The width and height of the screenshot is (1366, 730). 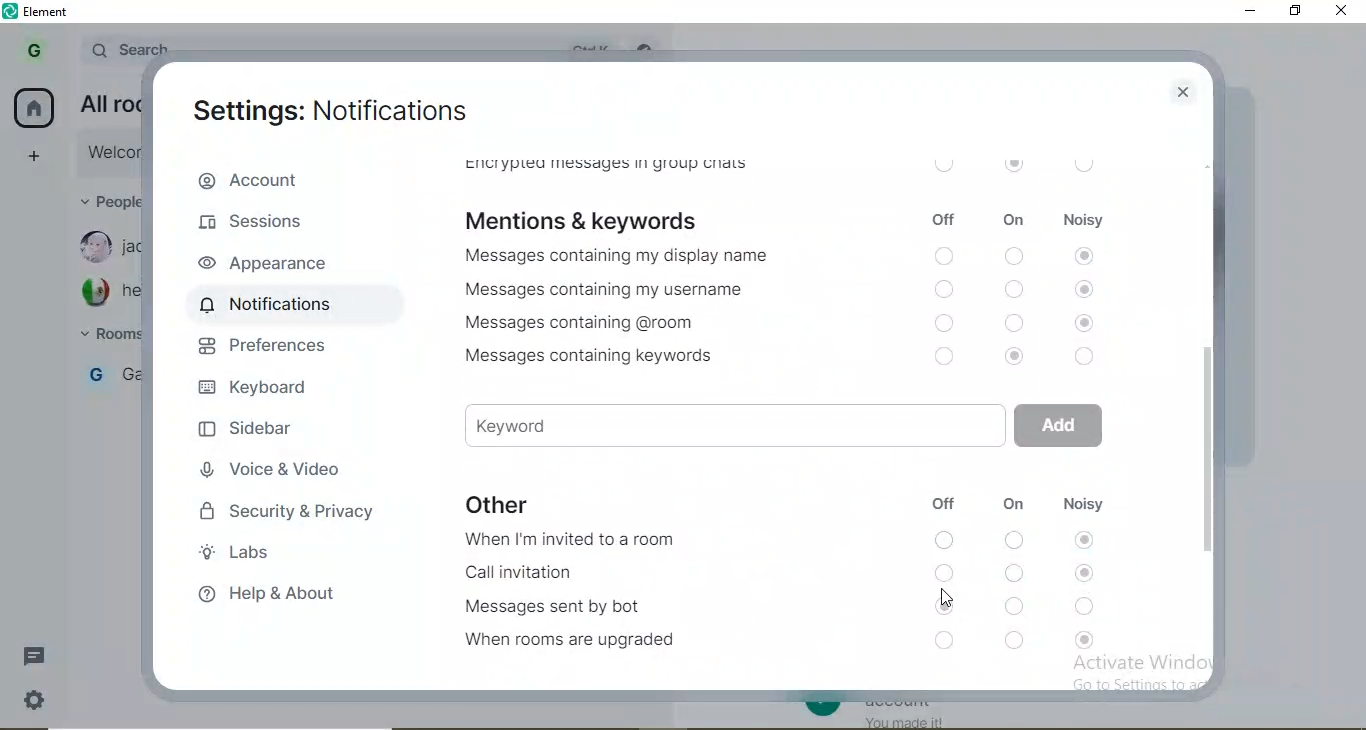 I want to click on , so click(x=1089, y=288).